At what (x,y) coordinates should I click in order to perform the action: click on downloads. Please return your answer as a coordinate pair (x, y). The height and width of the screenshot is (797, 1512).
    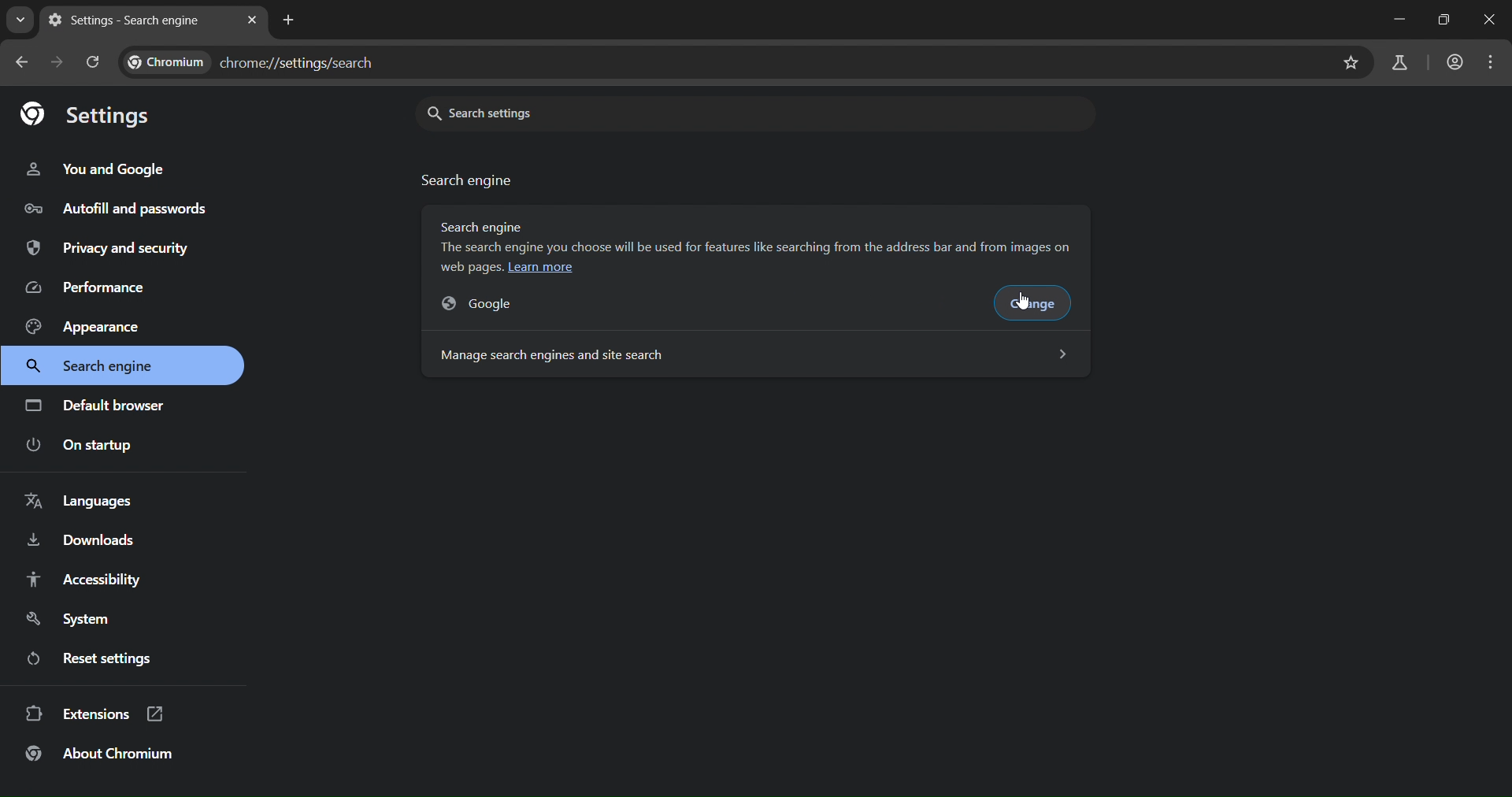
    Looking at the image, I should click on (82, 543).